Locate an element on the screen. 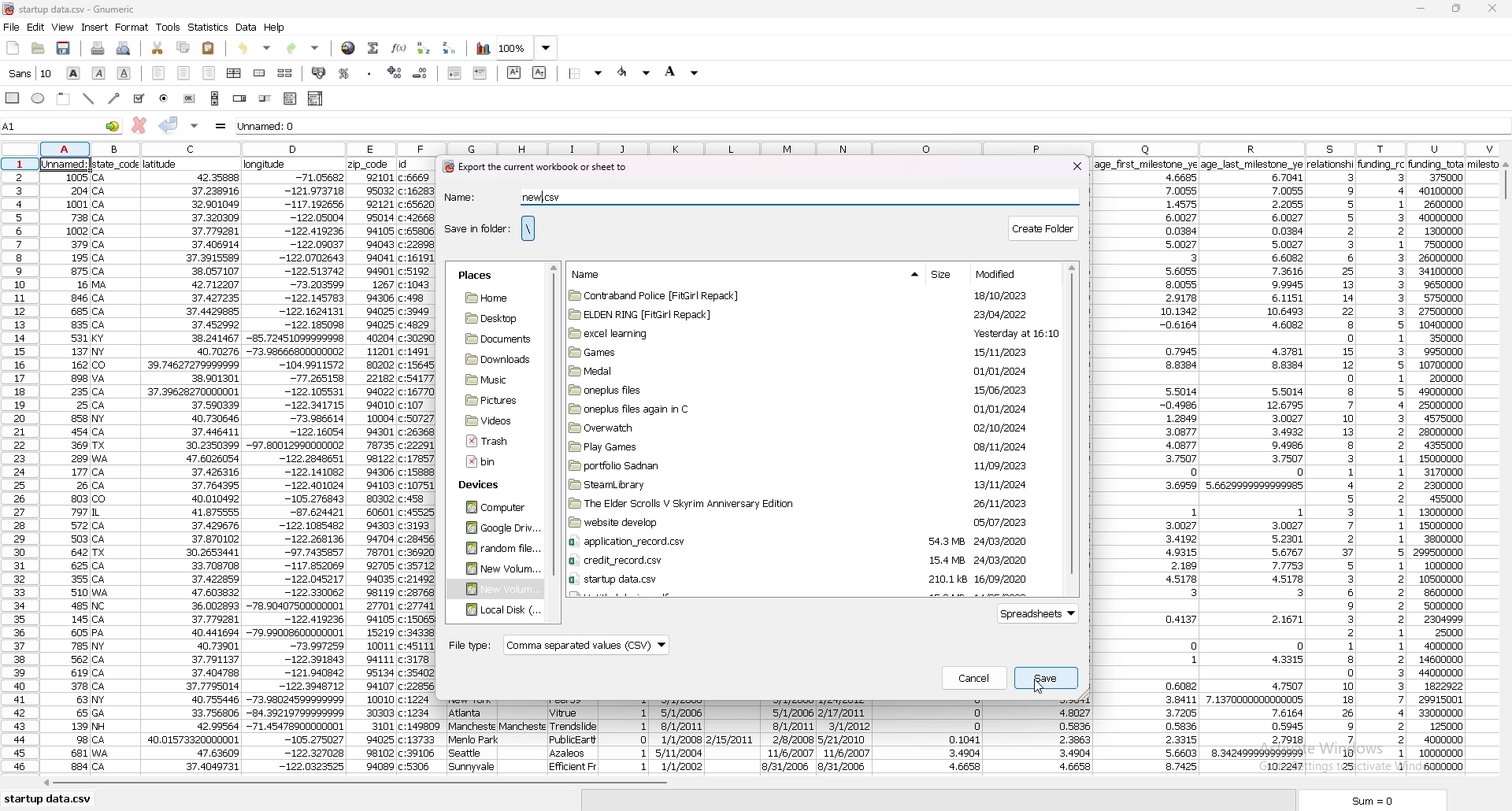 This screenshot has width=1512, height=811. folder is located at coordinates (811, 428).